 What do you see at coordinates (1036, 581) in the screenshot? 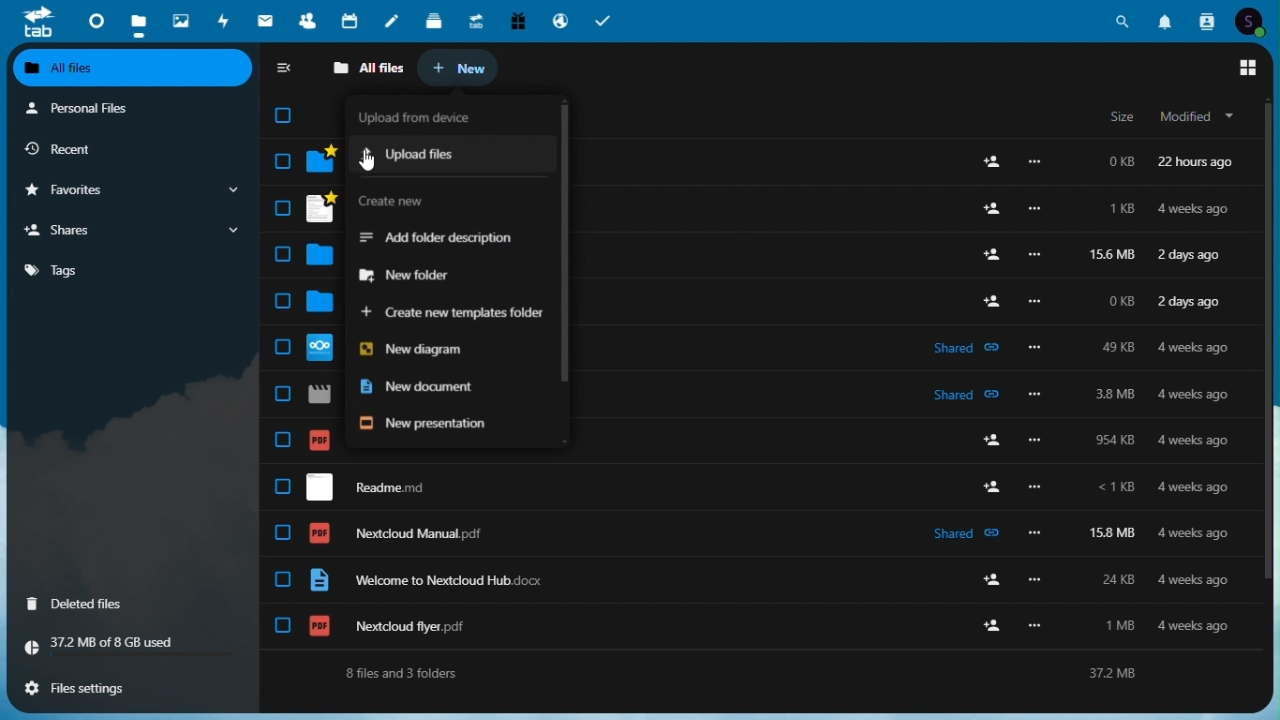
I see `more options` at bounding box center [1036, 581].